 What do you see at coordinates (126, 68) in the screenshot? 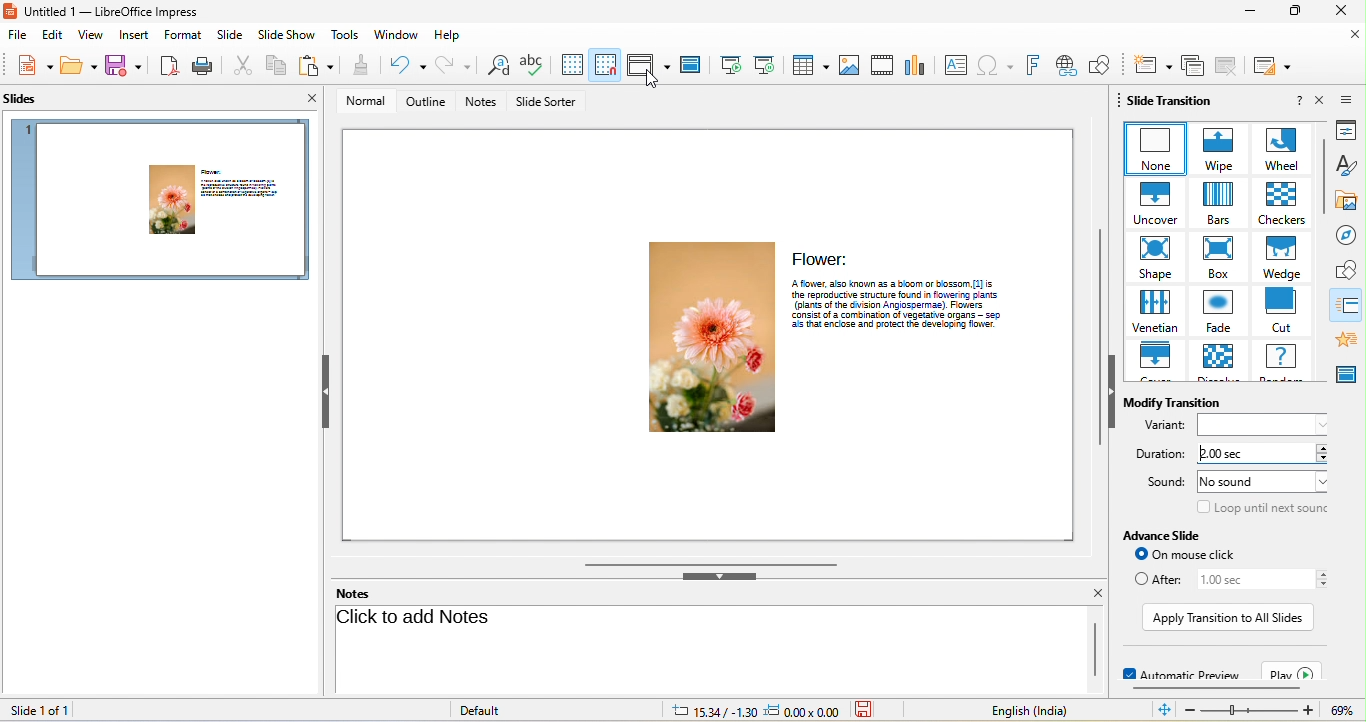
I see `save` at bounding box center [126, 68].